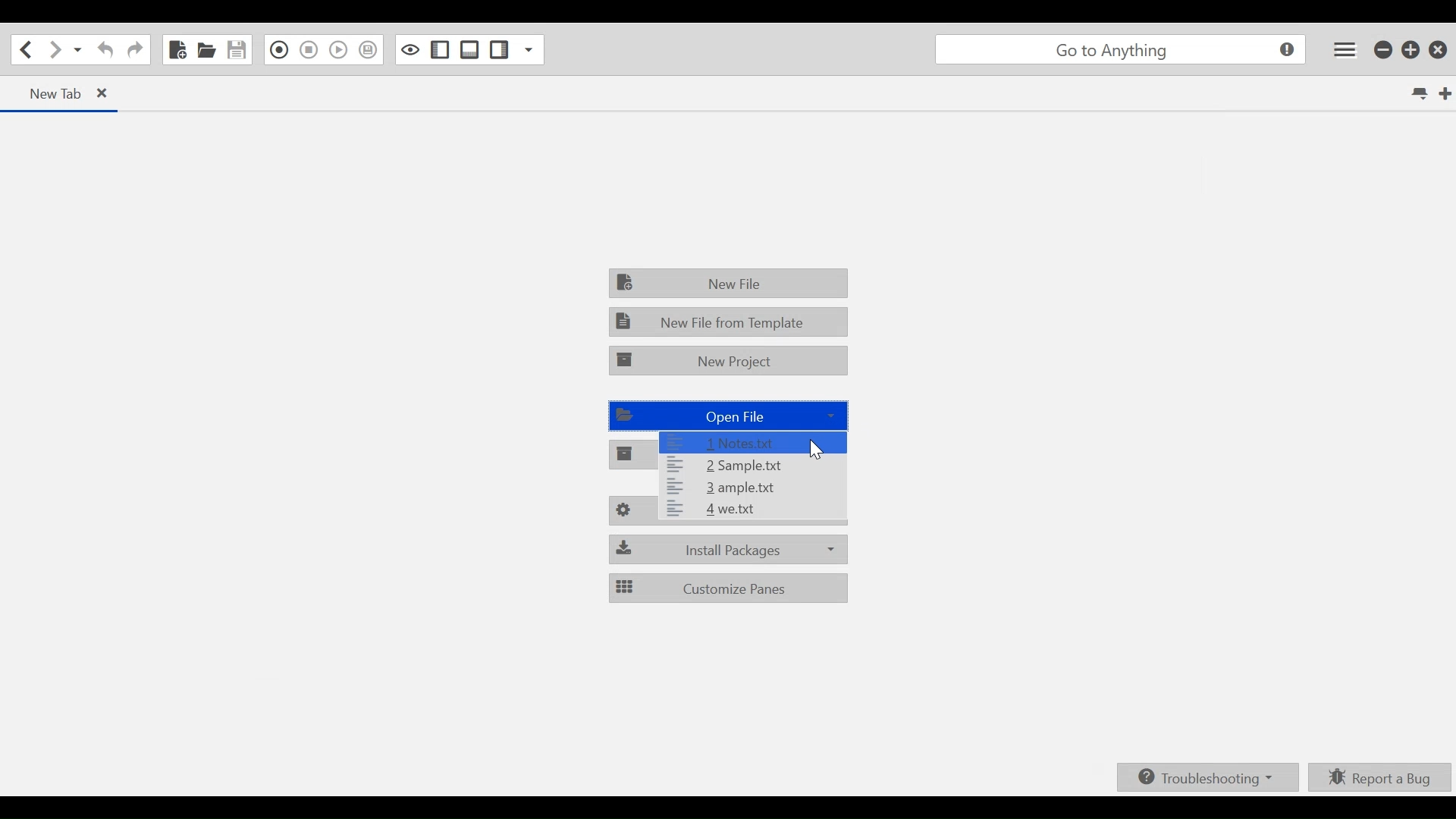 The image size is (1456, 819). I want to click on Save Macro to Toolbox as Superscript, so click(369, 50).